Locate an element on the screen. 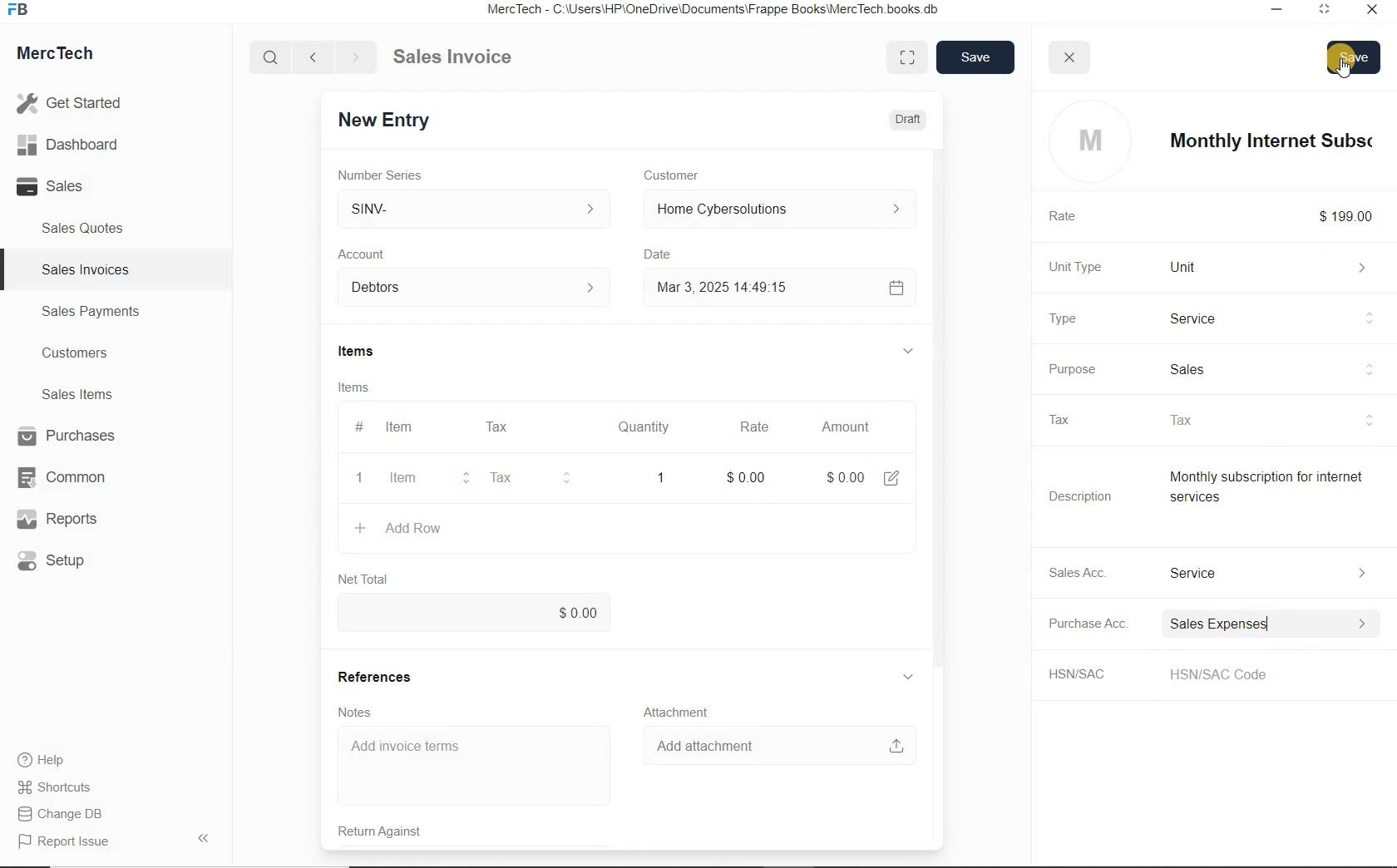  Sales Payments is located at coordinates (88, 312).